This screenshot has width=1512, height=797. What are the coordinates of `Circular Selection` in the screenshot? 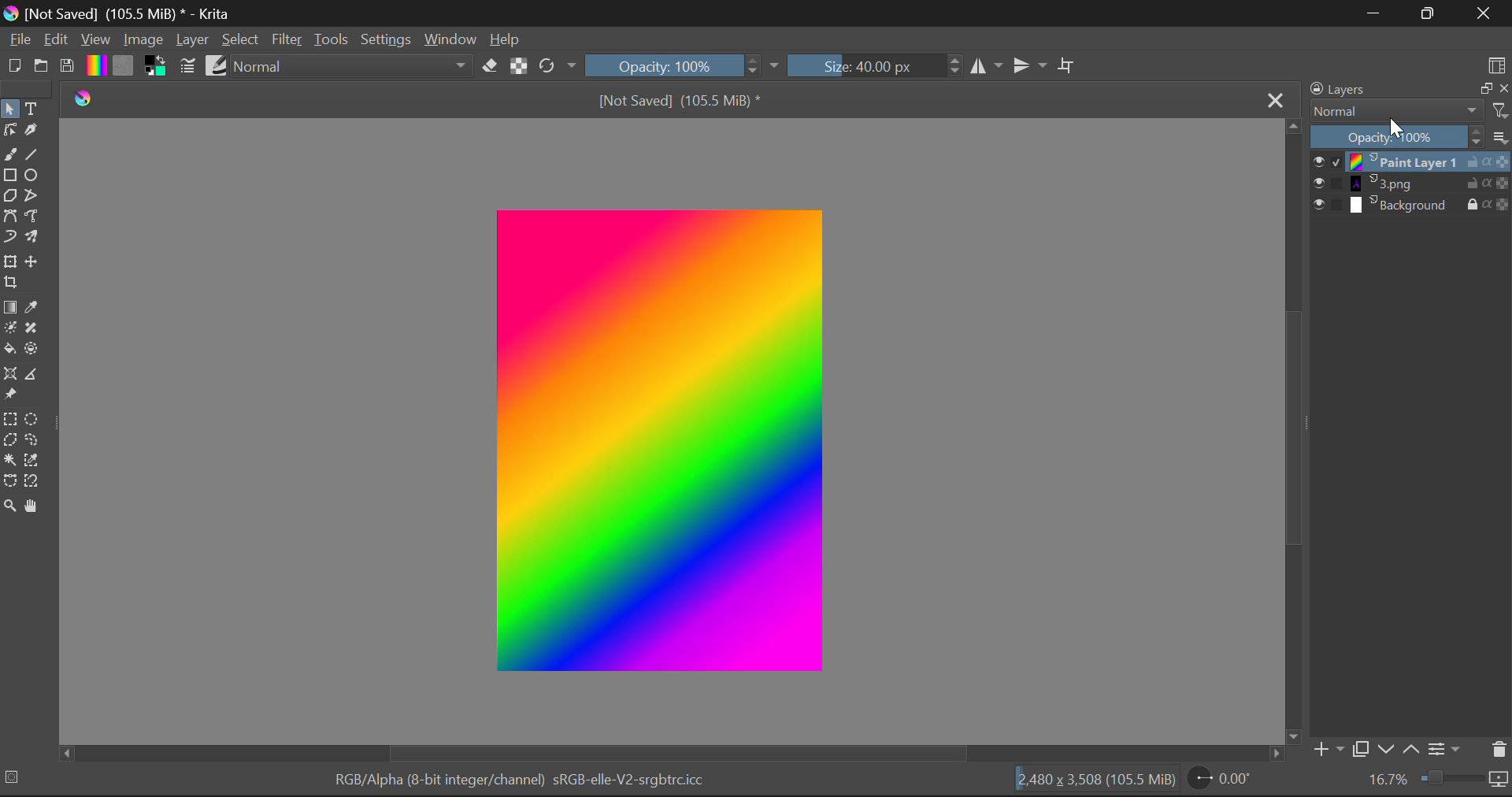 It's located at (34, 418).